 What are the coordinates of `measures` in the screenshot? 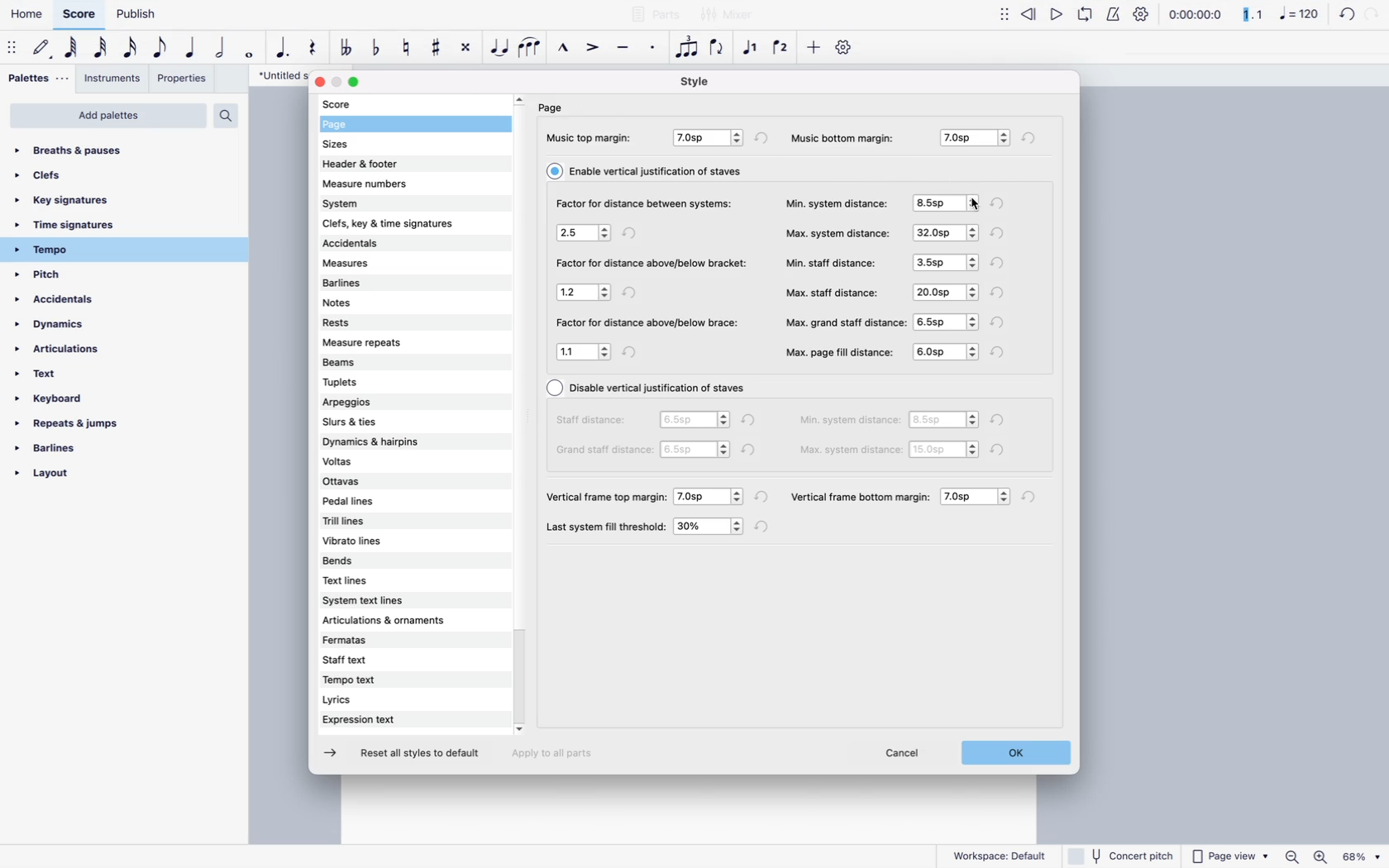 It's located at (383, 265).